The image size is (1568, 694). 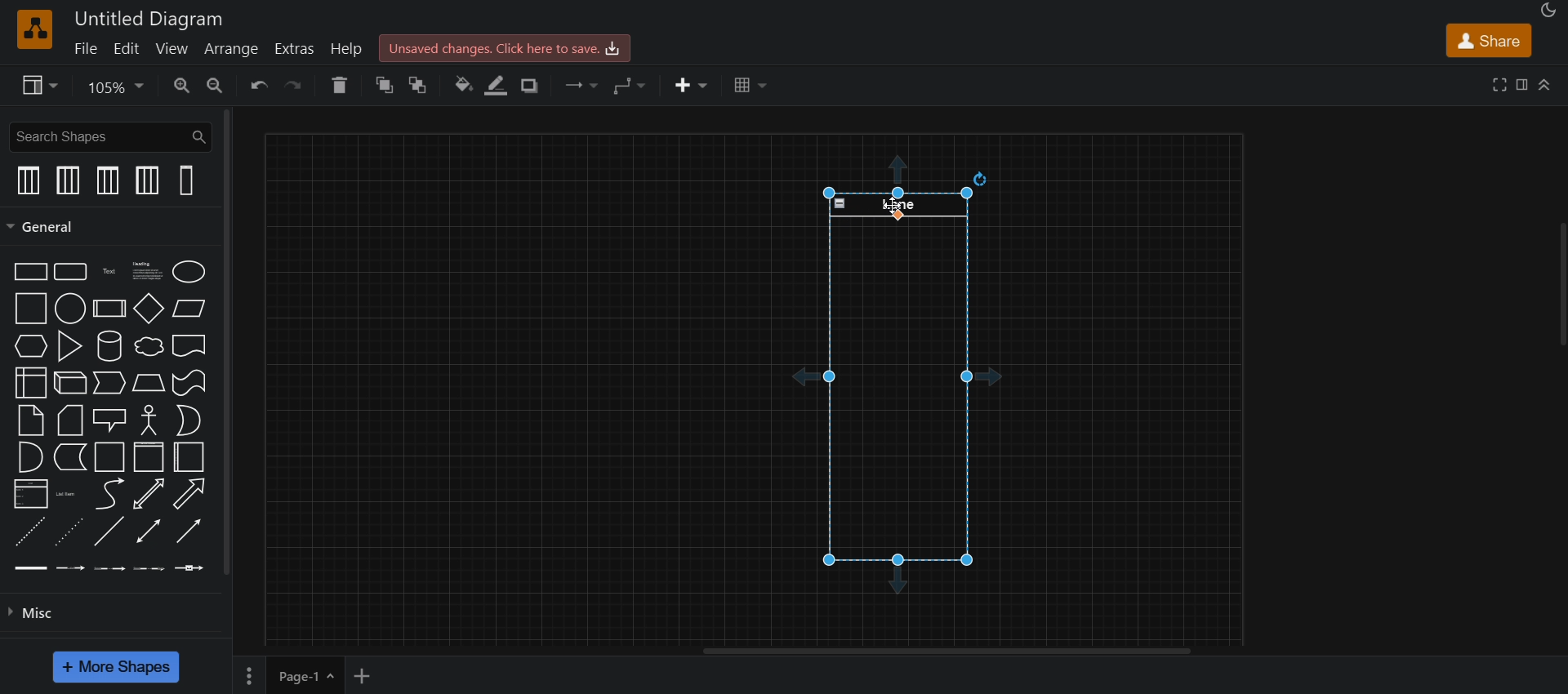 What do you see at coordinates (69, 493) in the screenshot?
I see `list item` at bounding box center [69, 493].